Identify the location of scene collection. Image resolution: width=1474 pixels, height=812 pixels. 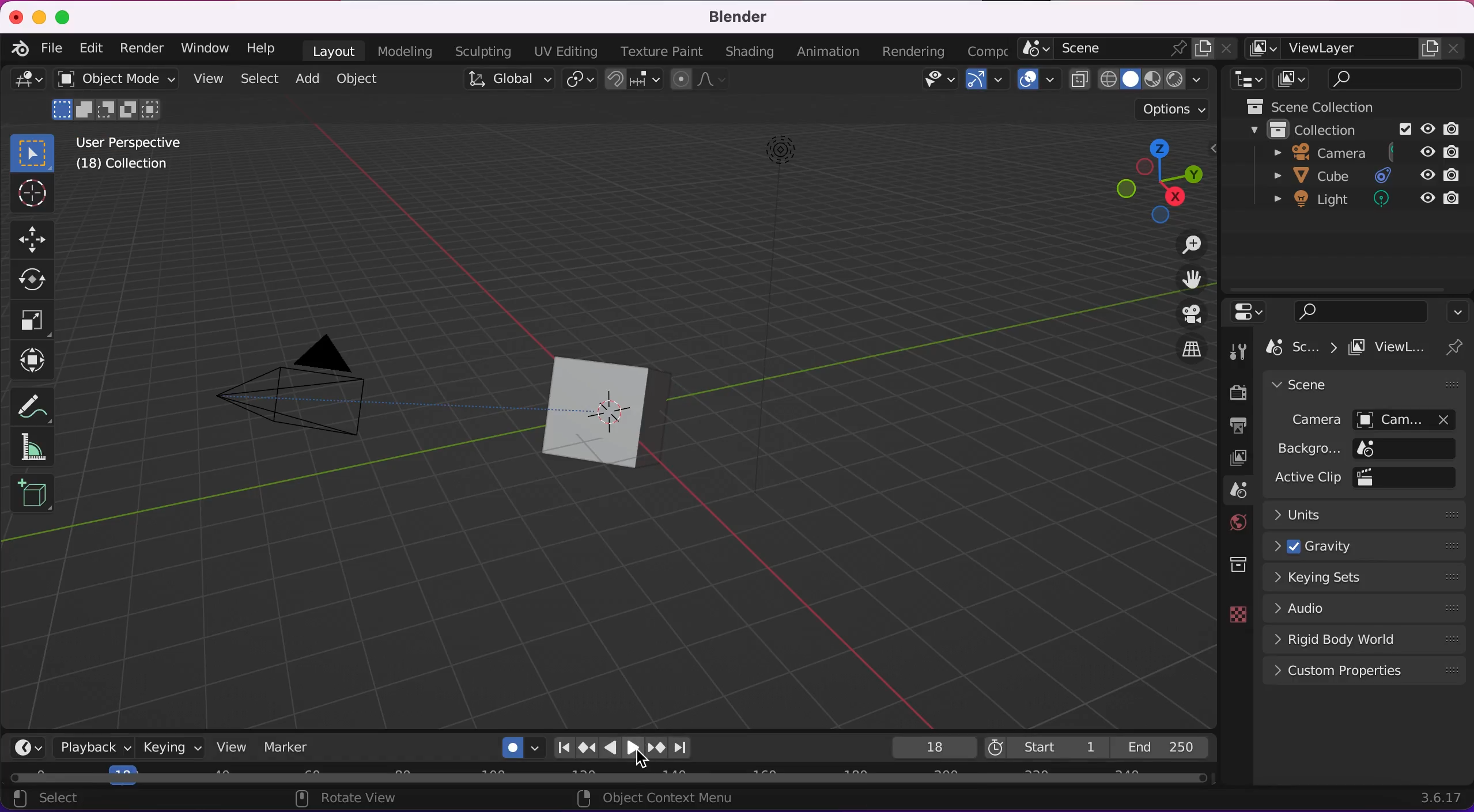
(1307, 107).